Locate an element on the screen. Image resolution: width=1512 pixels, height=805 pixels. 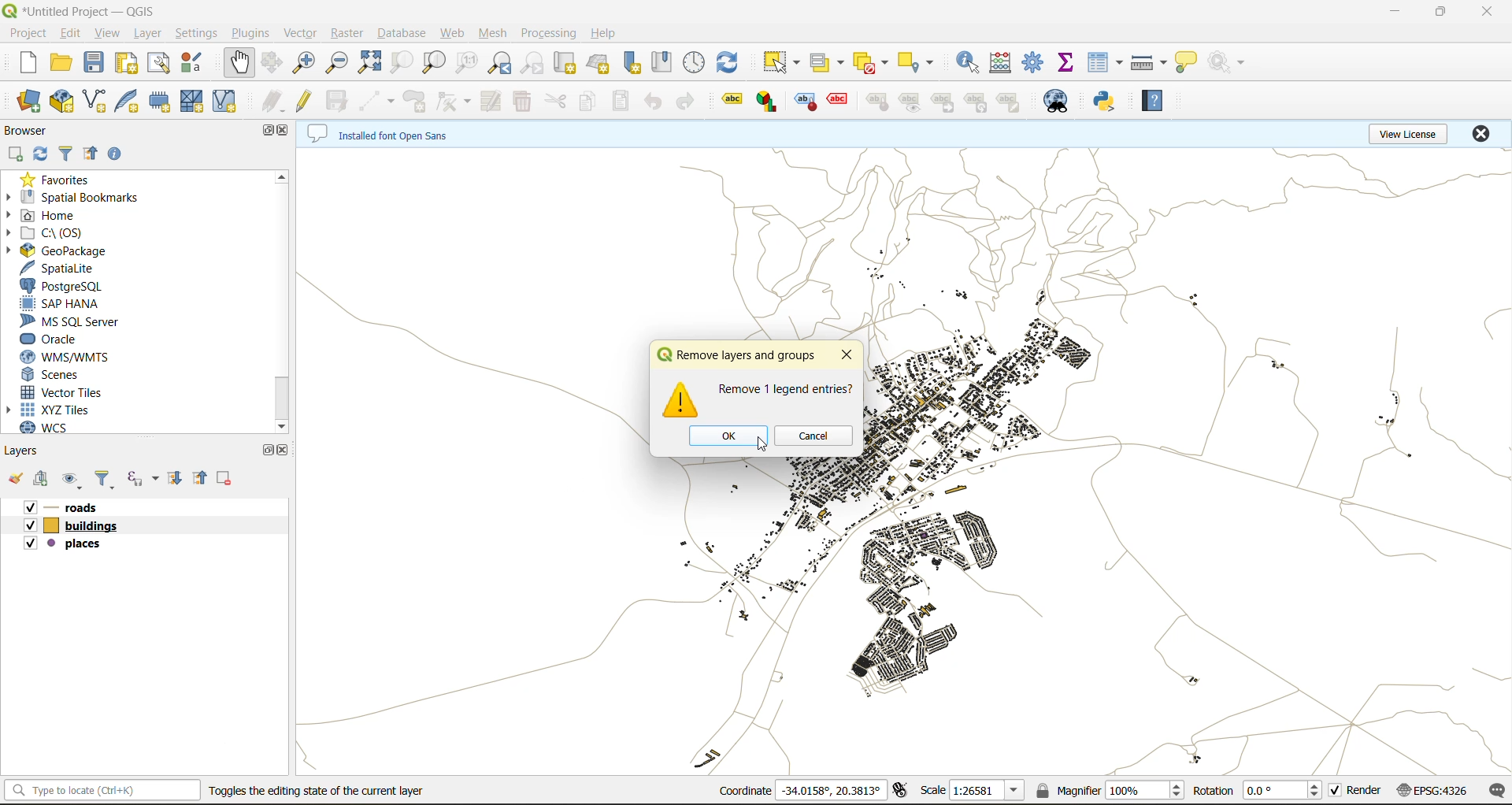
close is located at coordinates (286, 451).